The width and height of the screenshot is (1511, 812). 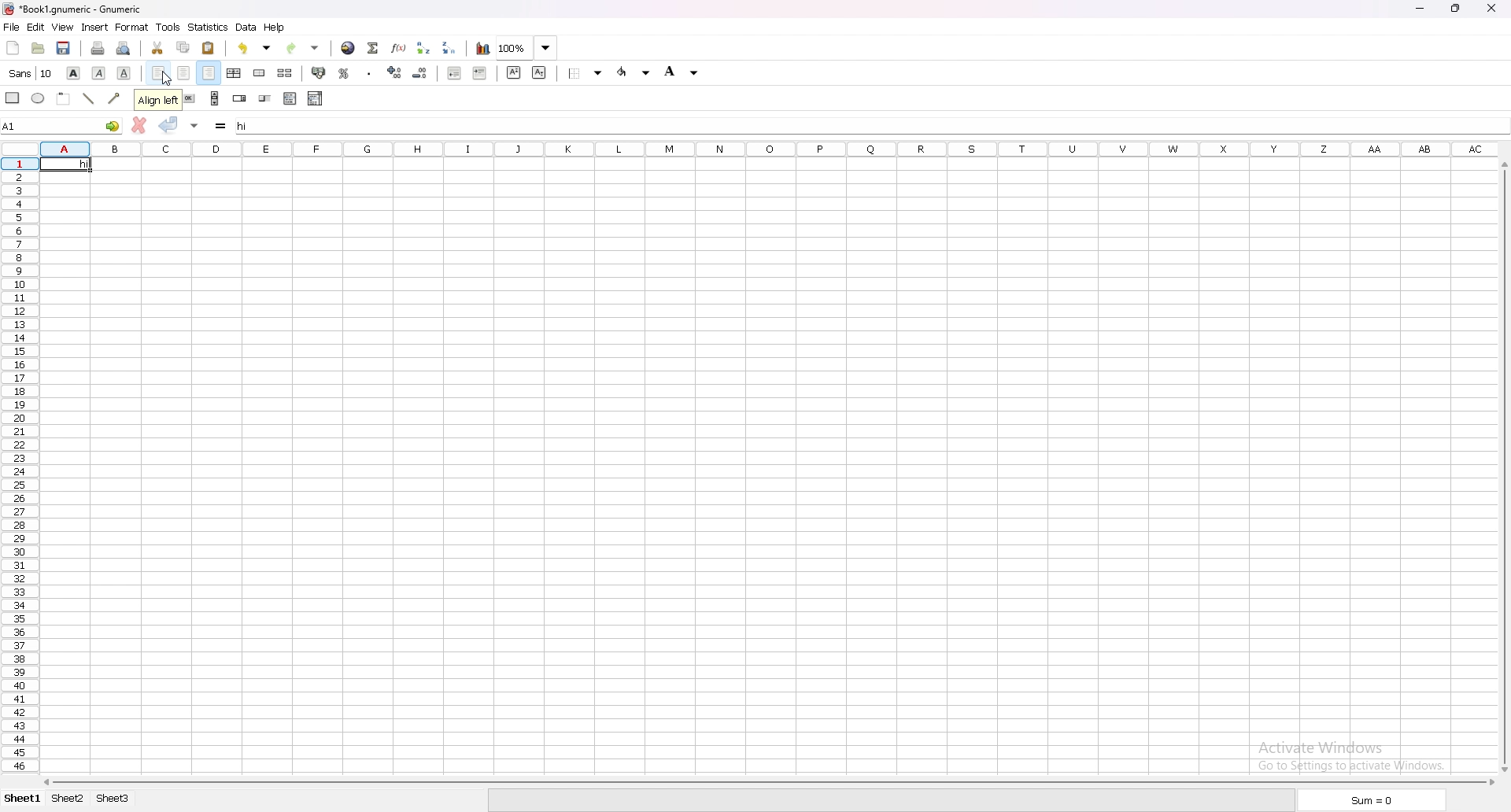 What do you see at coordinates (31, 73) in the screenshot?
I see `font` at bounding box center [31, 73].